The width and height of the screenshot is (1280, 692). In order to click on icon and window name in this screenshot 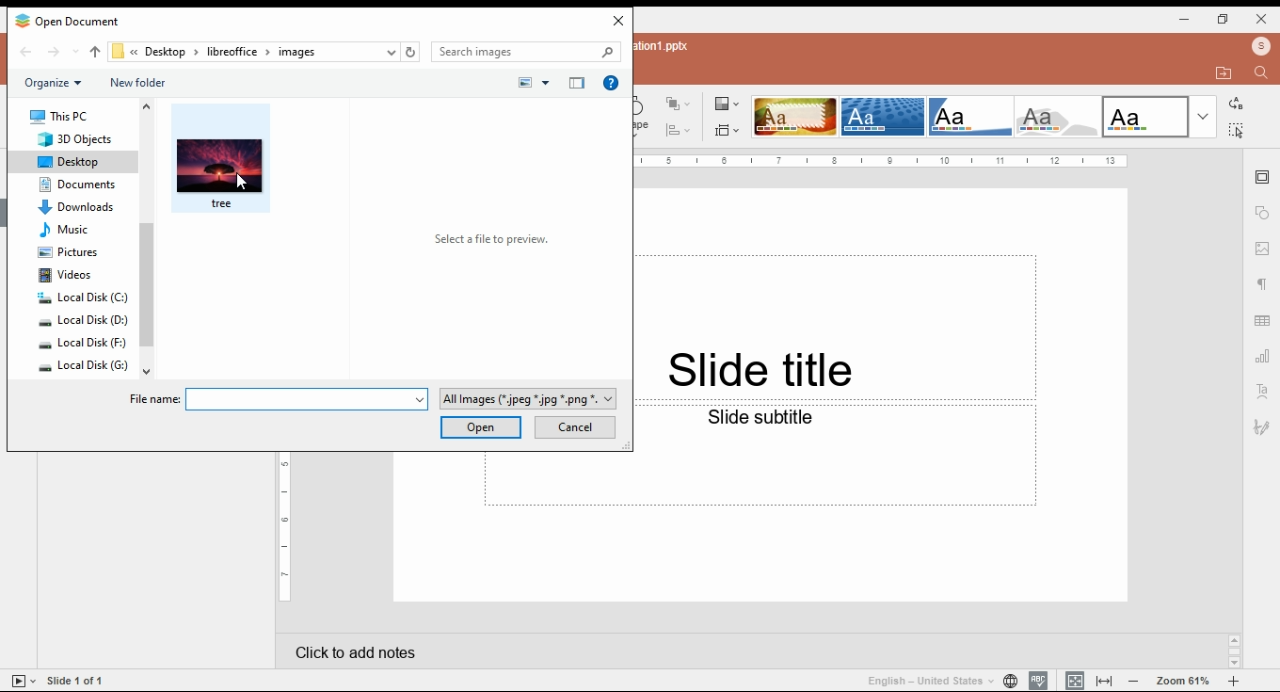, I will do `click(67, 20)`.